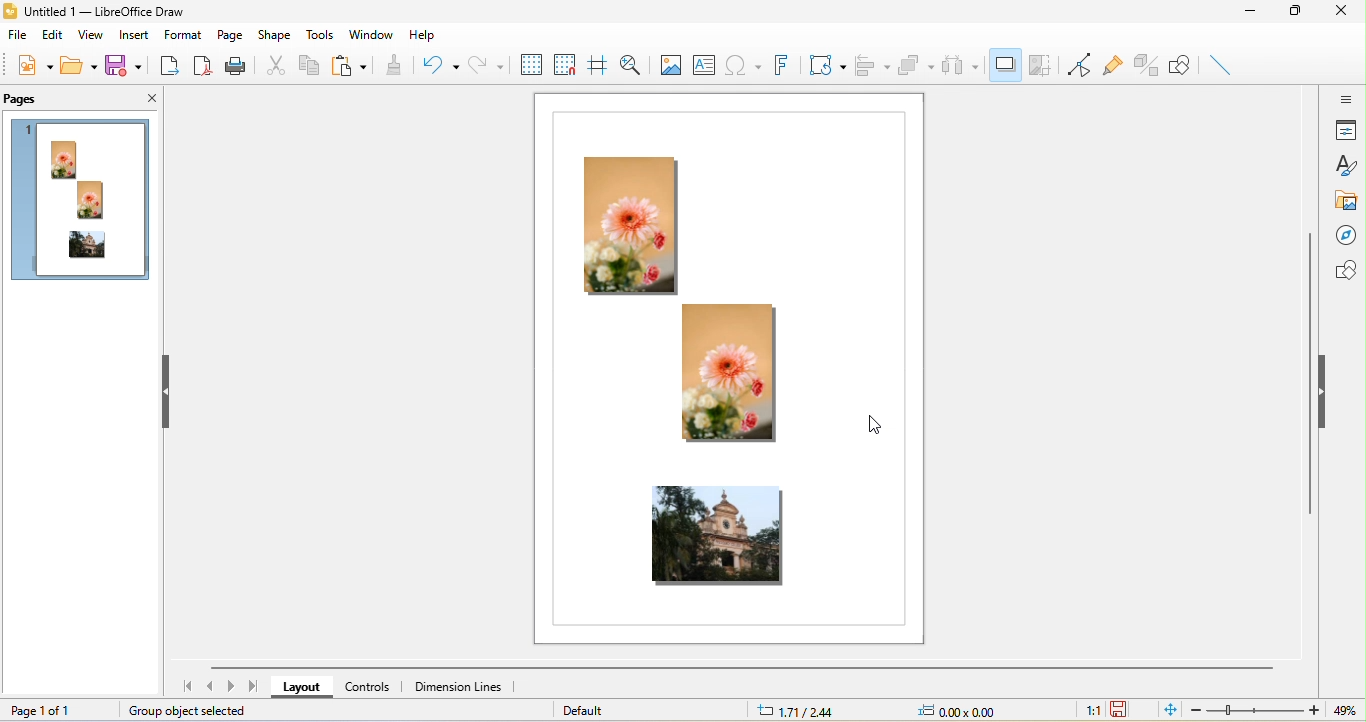  What do you see at coordinates (1040, 65) in the screenshot?
I see `crop image` at bounding box center [1040, 65].